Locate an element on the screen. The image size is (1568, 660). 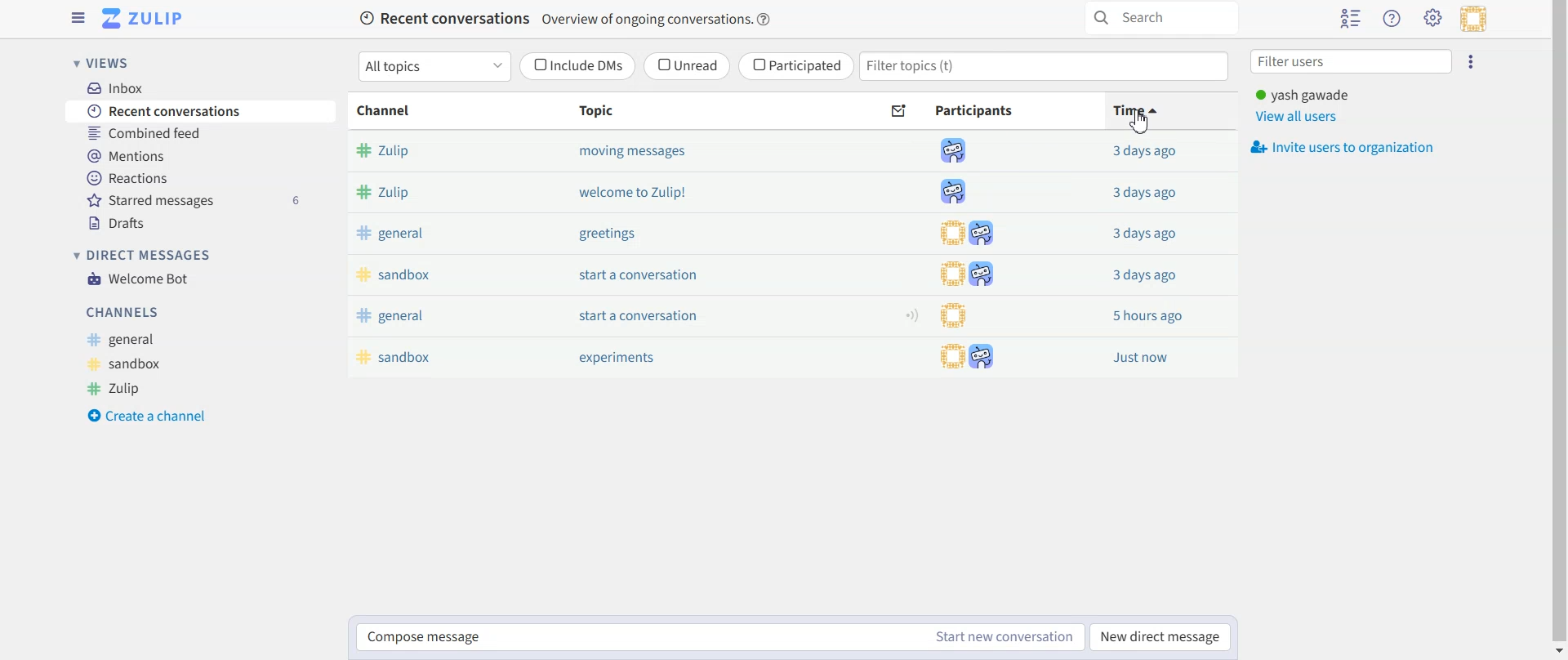
Recent conversations Overview of ongoing conversations. is located at coordinates (555, 20).